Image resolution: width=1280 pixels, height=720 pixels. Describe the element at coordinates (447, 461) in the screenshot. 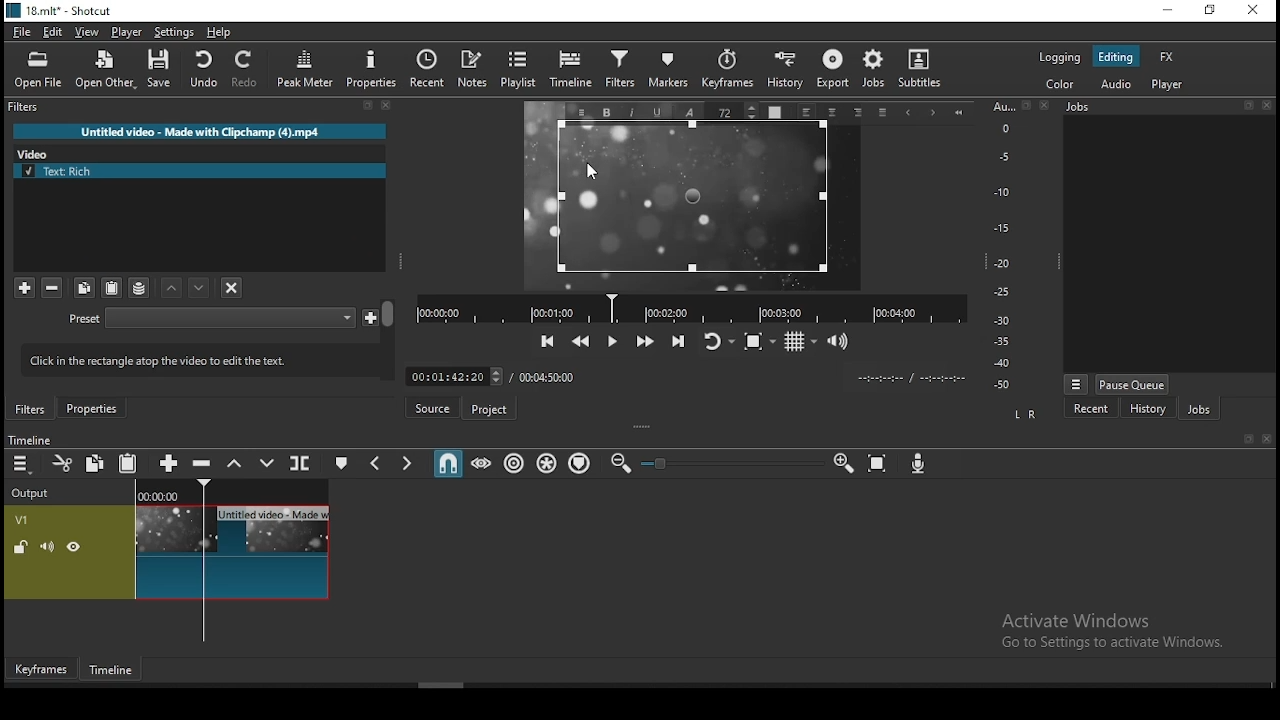

I see `snap` at that location.